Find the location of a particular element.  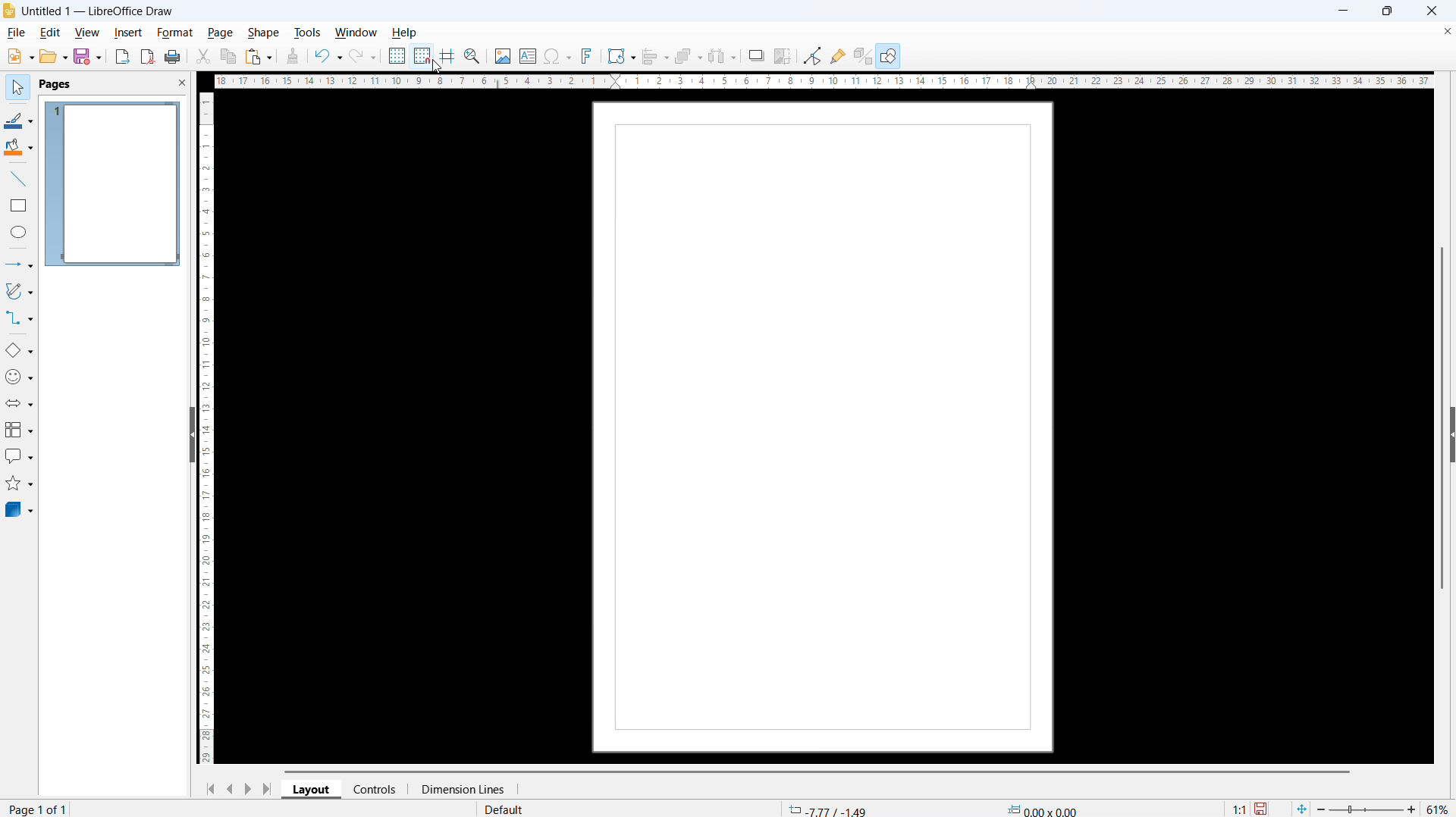

Shadow  is located at coordinates (757, 55).